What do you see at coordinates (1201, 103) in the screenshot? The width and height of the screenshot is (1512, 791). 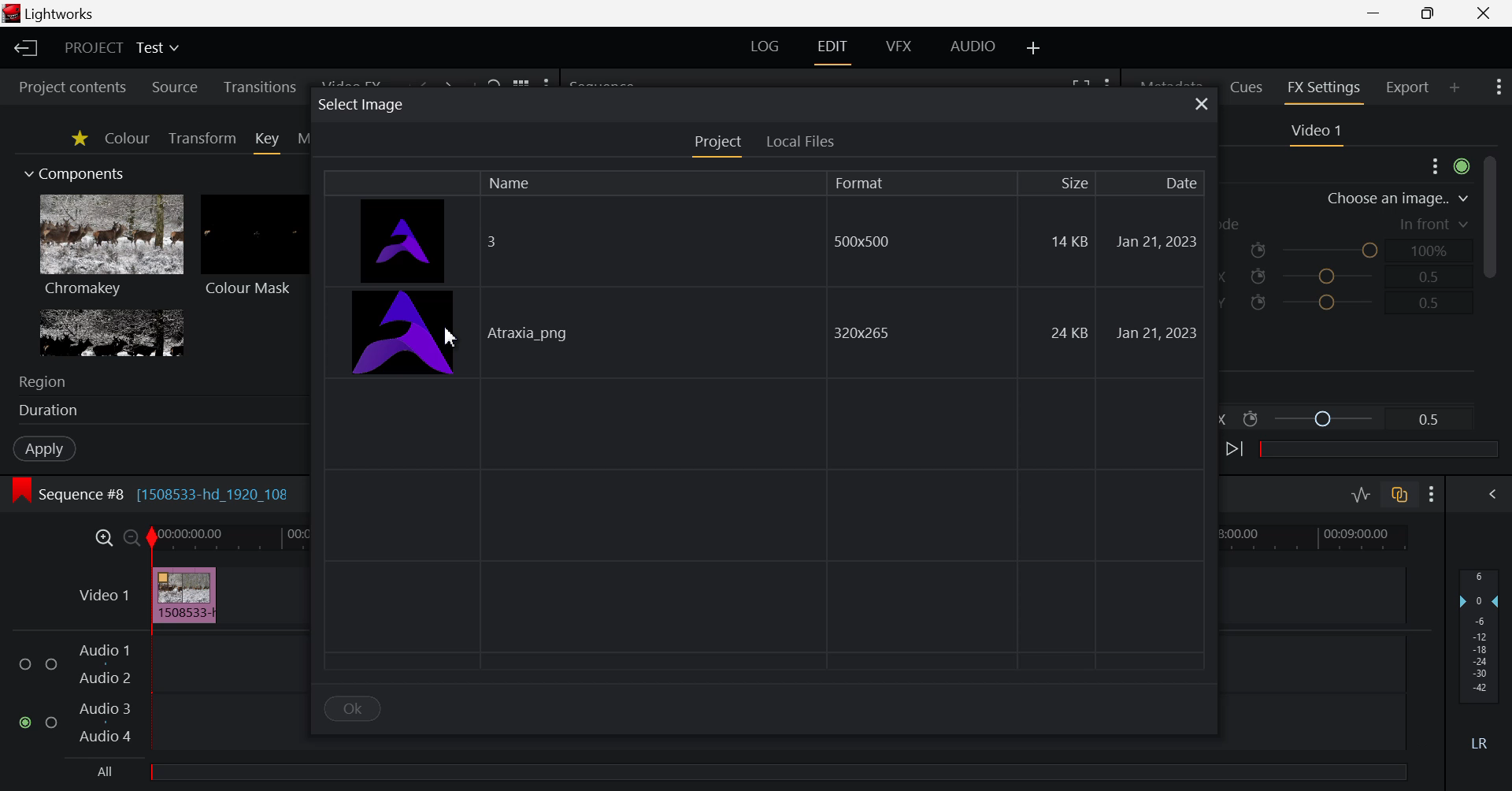 I see `Close` at bounding box center [1201, 103].